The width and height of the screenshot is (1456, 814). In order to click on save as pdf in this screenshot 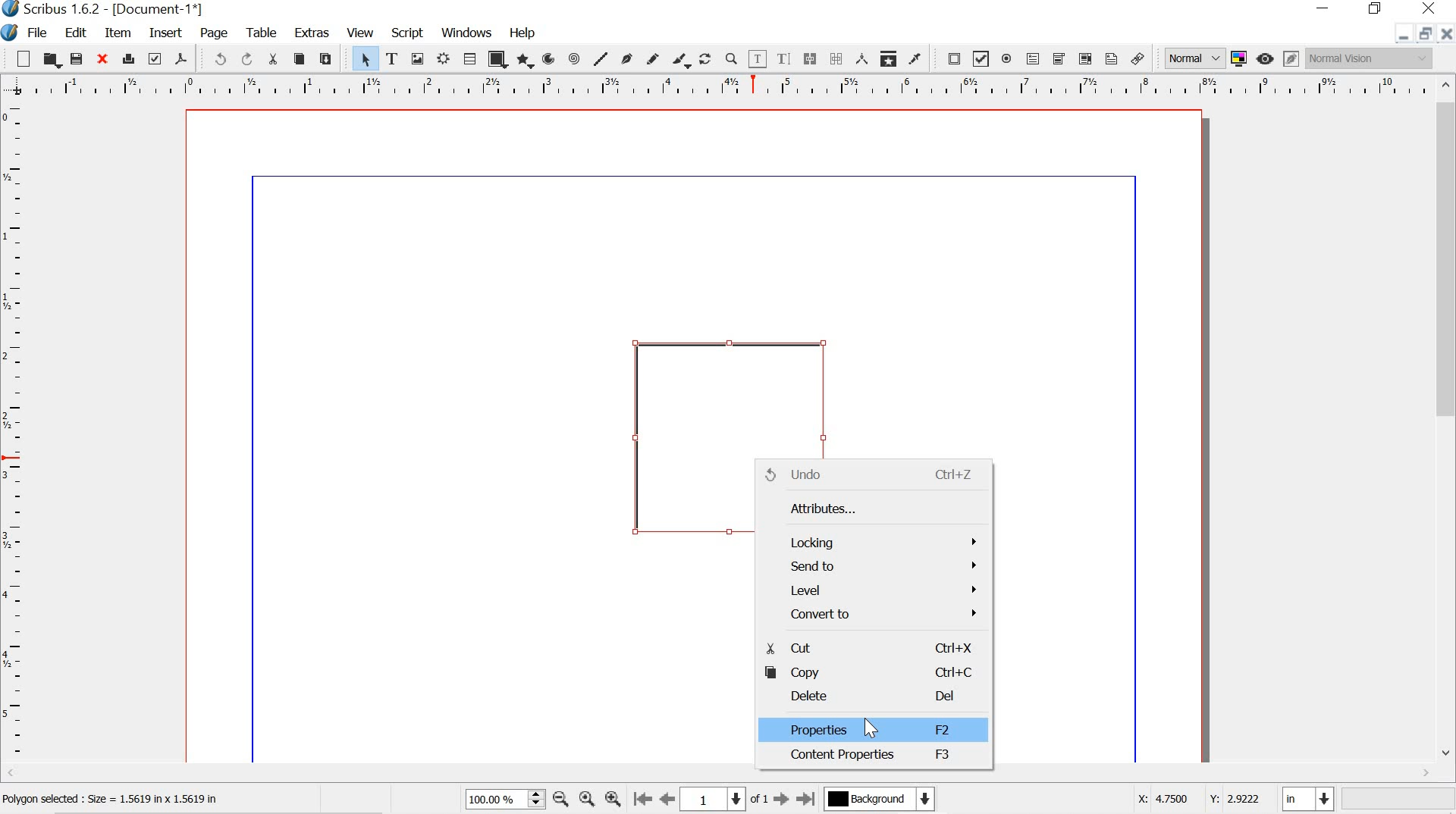, I will do `click(183, 60)`.